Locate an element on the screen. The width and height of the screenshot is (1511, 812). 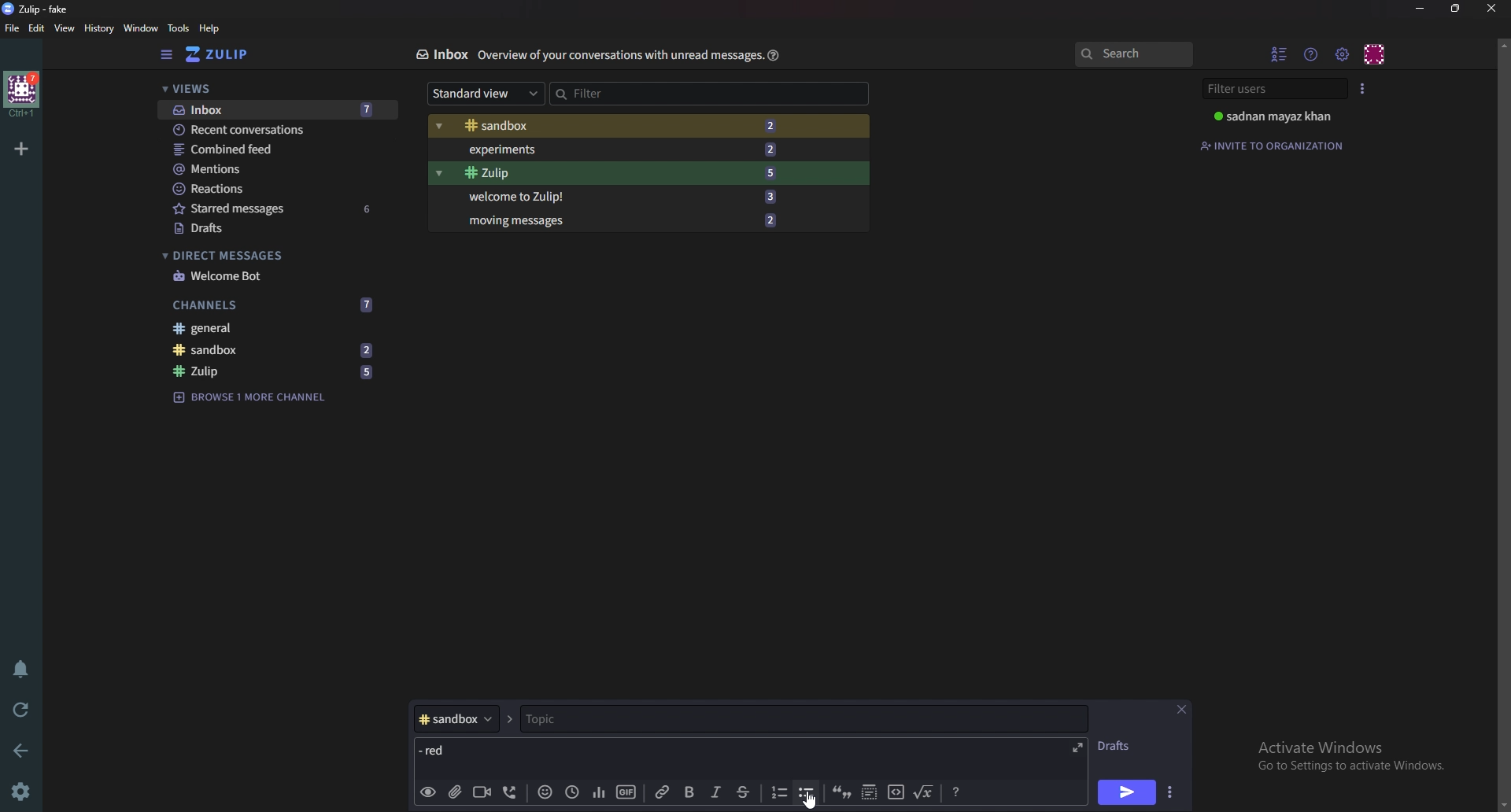
poll is located at coordinates (599, 791).